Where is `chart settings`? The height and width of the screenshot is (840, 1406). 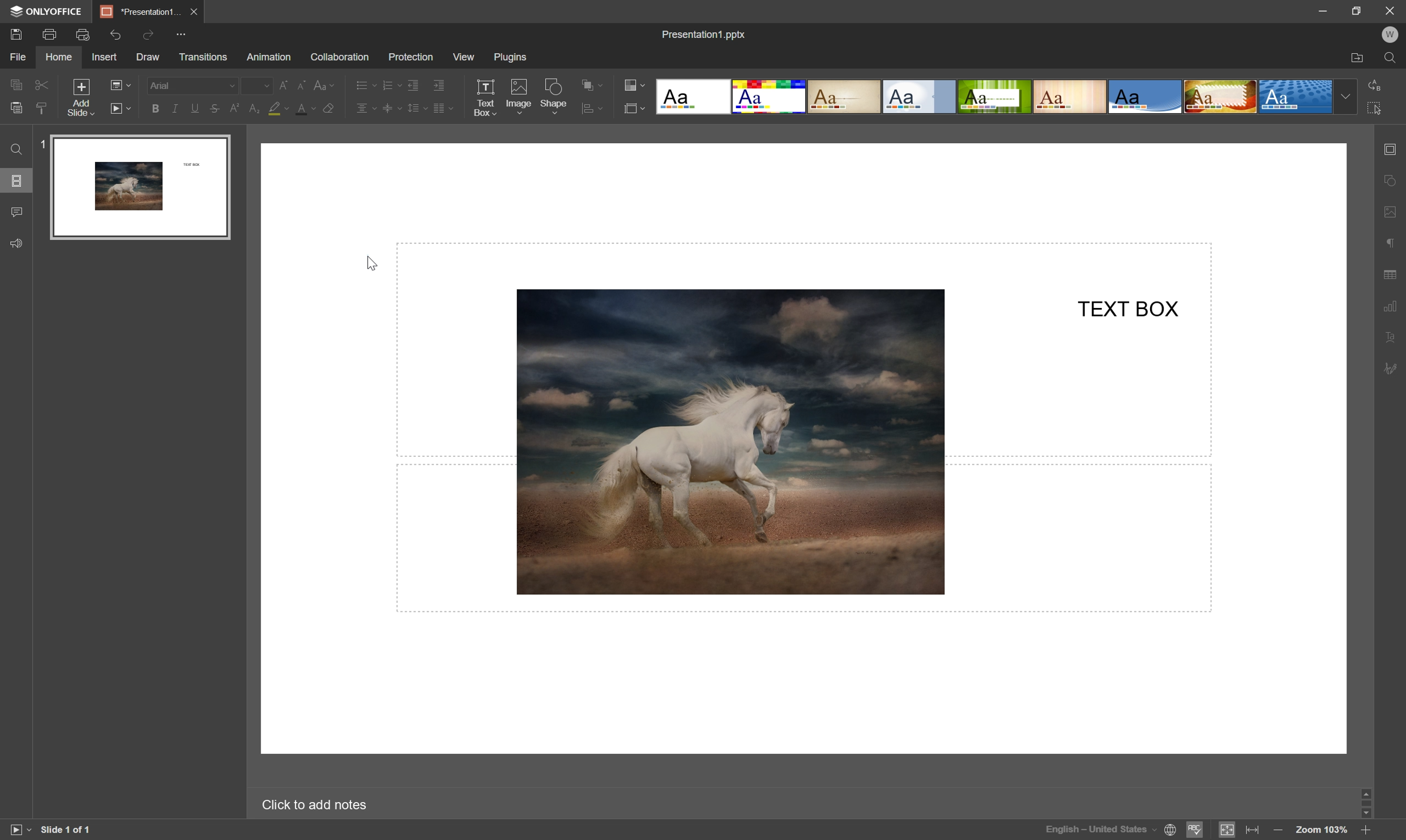
chart settings is located at coordinates (1390, 303).